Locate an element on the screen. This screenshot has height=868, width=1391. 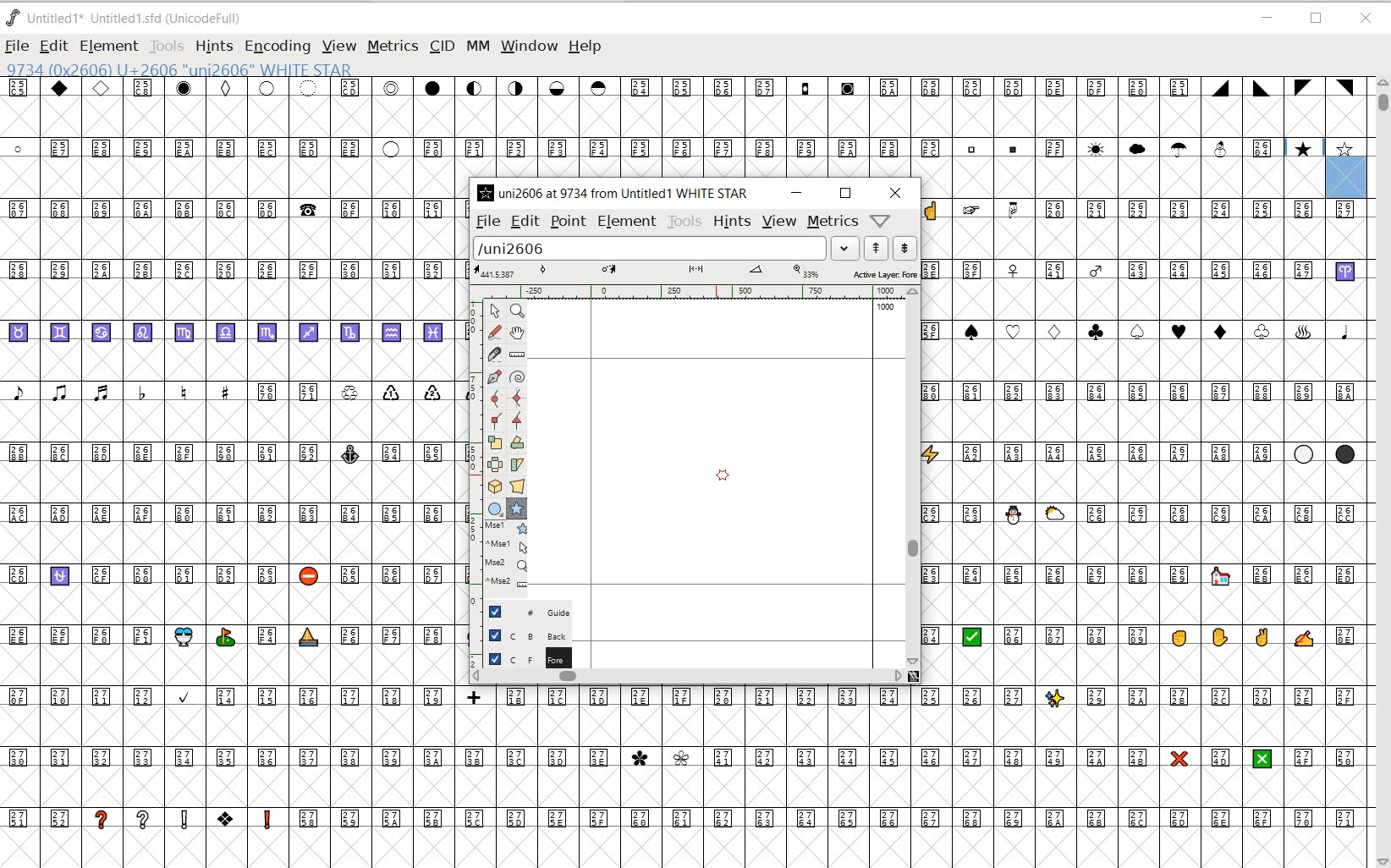
SCALE is located at coordinates (473, 447).